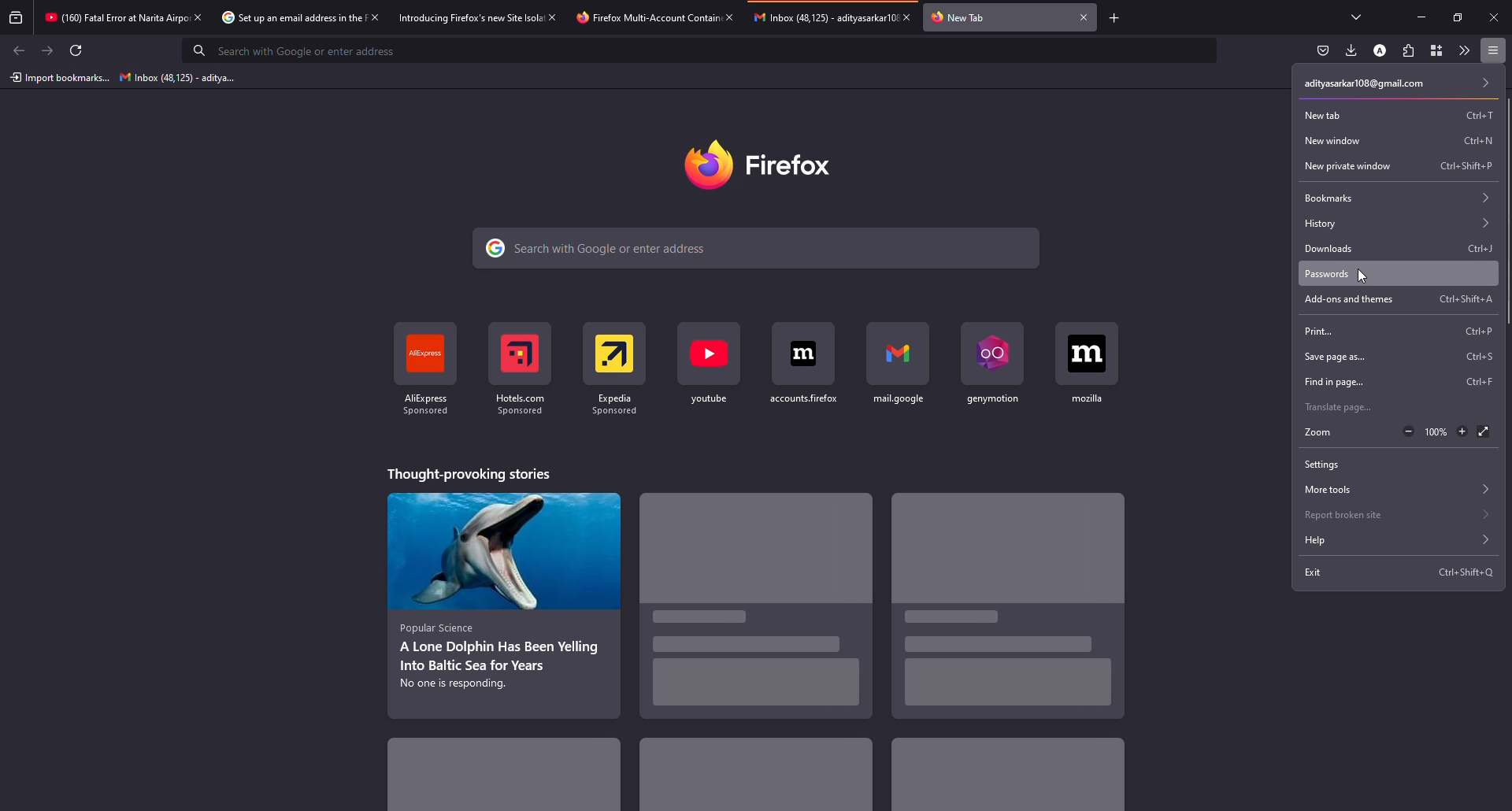 Image resolution: width=1512 pixels, height=811 pixels. What do you see at coordinates (1325, 273) in the screenshot?
I see `passwords` at bounding box center [1325, 273].